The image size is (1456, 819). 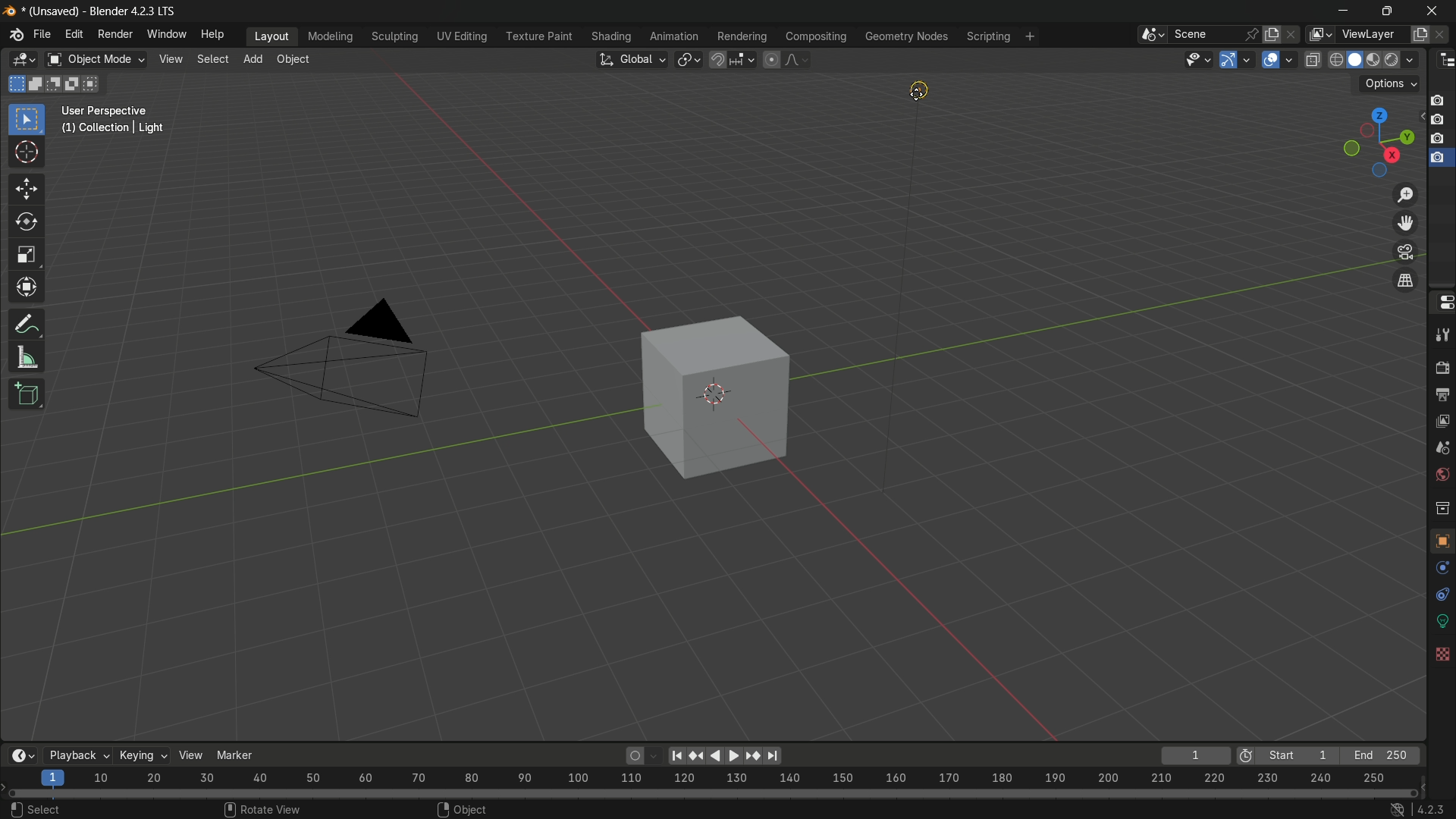 I want to click on output, so click(x=1441, y=393).